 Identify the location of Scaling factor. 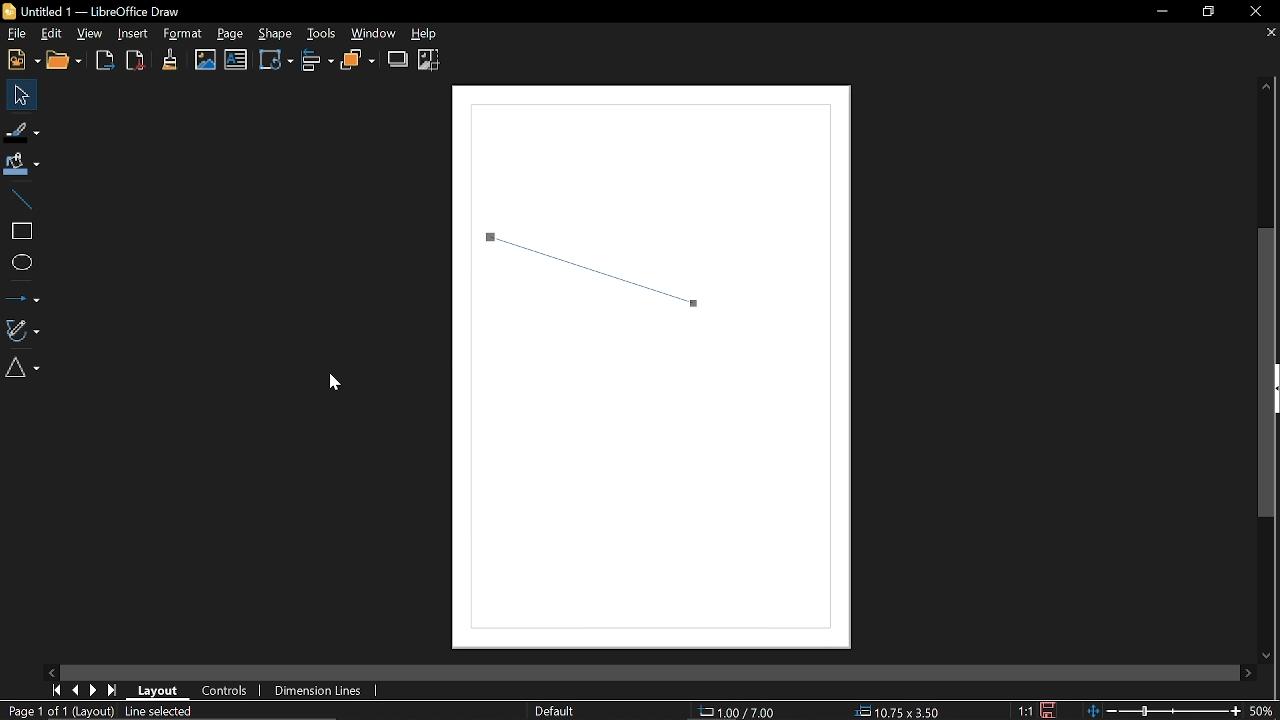
(1024, 711).